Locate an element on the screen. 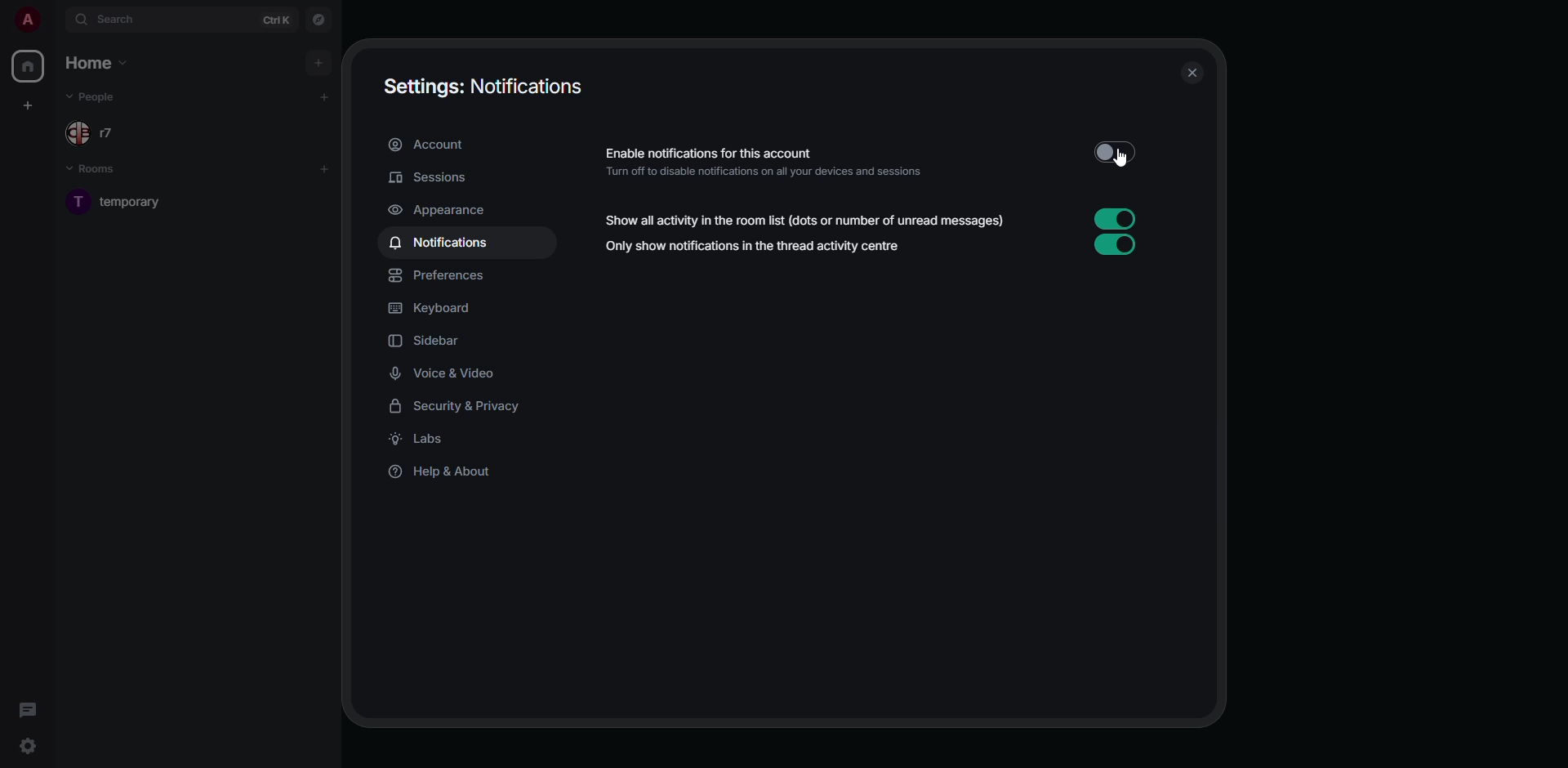 The width and height of the screenshot is (1568, 768). keyboard is located at coordinates (434, 308).